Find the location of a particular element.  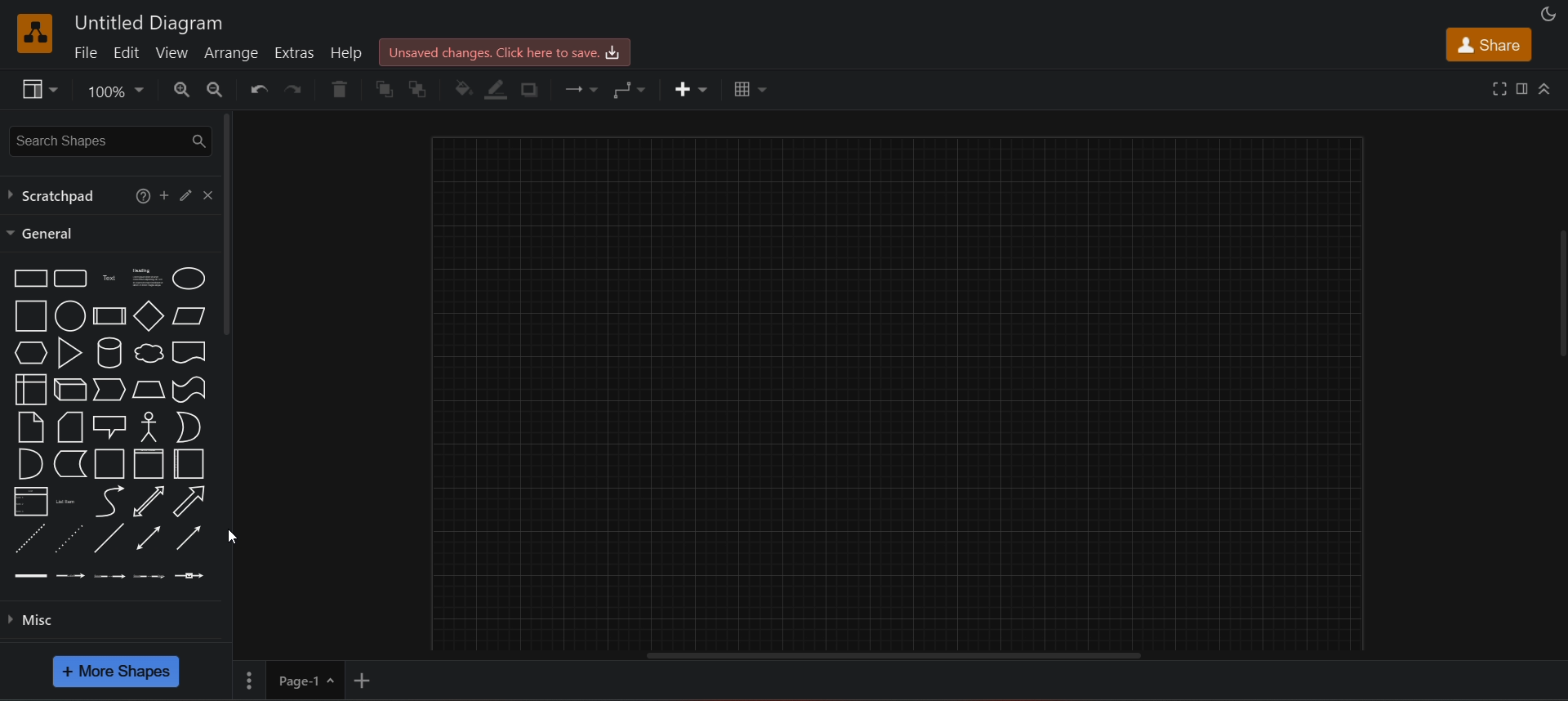

waypoints is located at coordinates (628, 89).